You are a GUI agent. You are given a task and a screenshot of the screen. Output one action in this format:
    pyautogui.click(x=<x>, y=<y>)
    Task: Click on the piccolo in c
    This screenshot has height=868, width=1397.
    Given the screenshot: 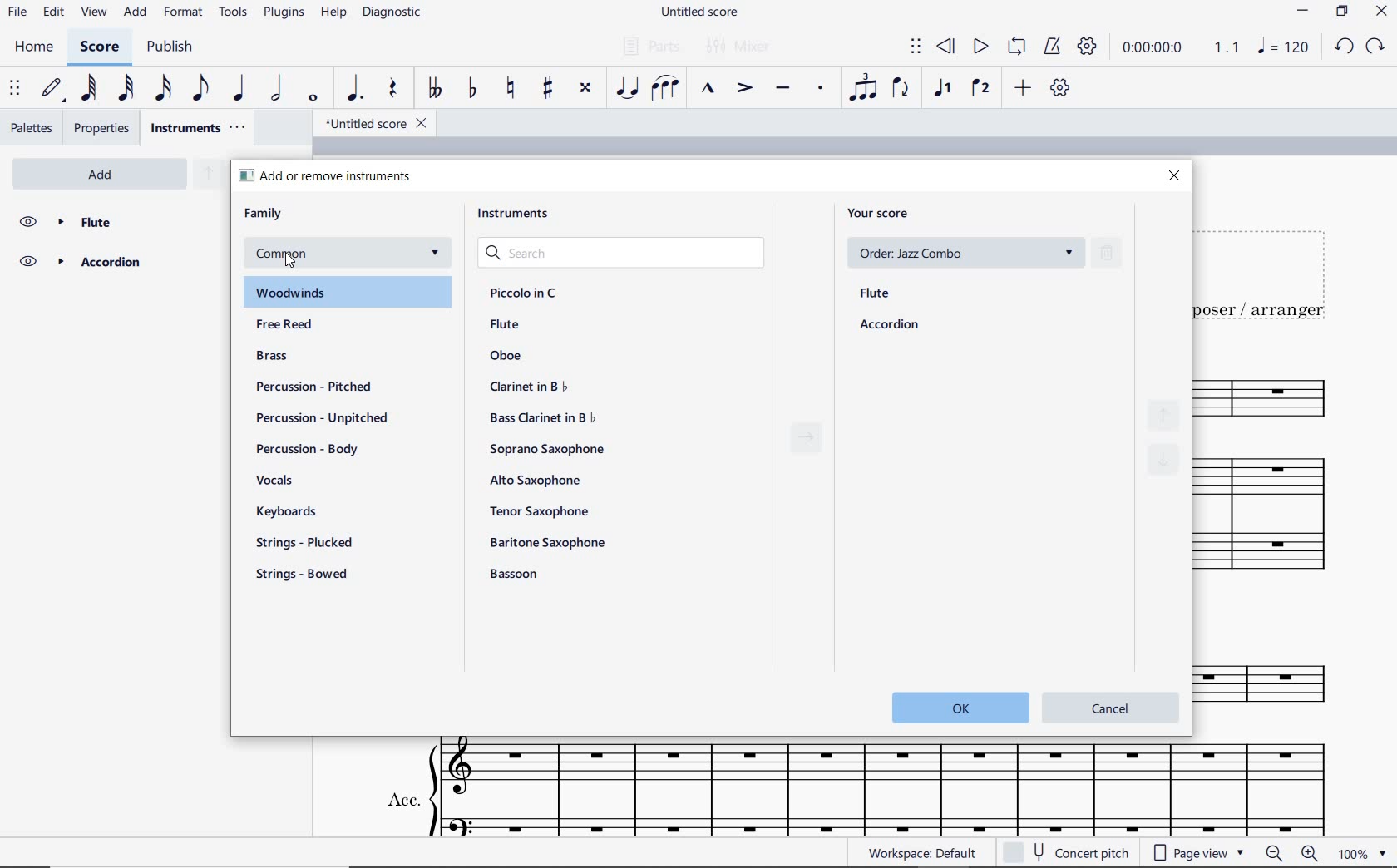 What is the action you would take?
    pyautogui.click(x=522, y=291)
    